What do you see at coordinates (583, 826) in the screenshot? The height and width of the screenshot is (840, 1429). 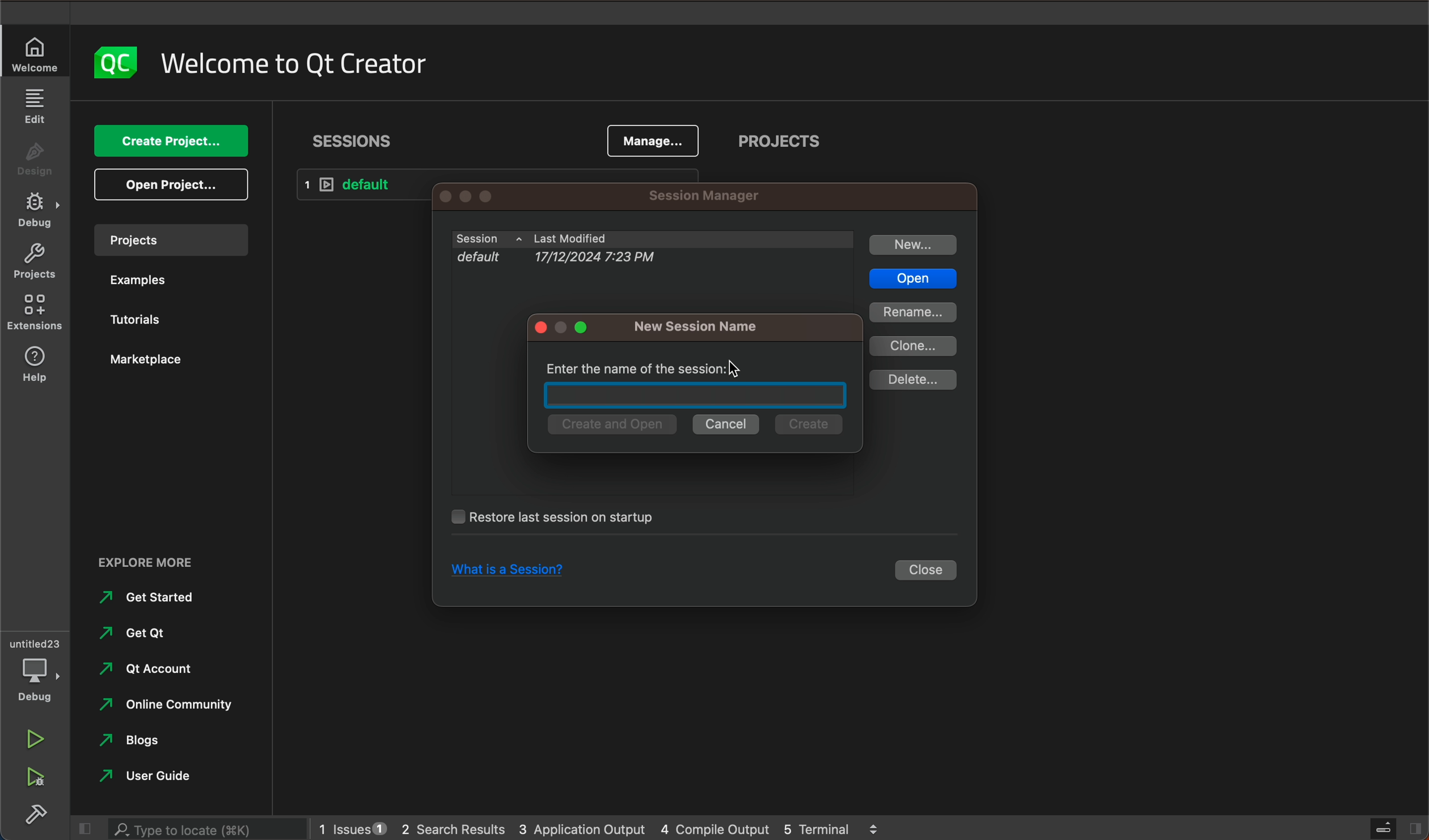 I see `application output` at bounding box center [583, 826].